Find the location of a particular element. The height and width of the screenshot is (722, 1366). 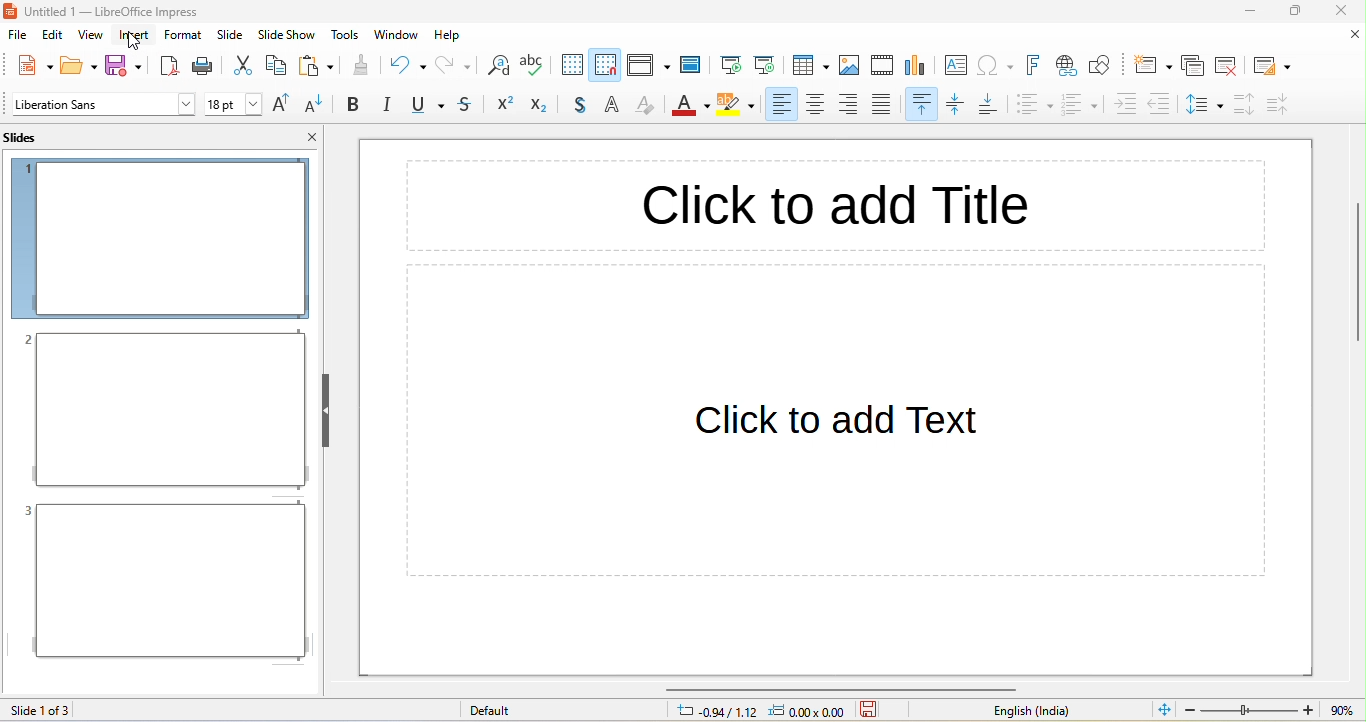

justified is located at coordinates (888, 105).